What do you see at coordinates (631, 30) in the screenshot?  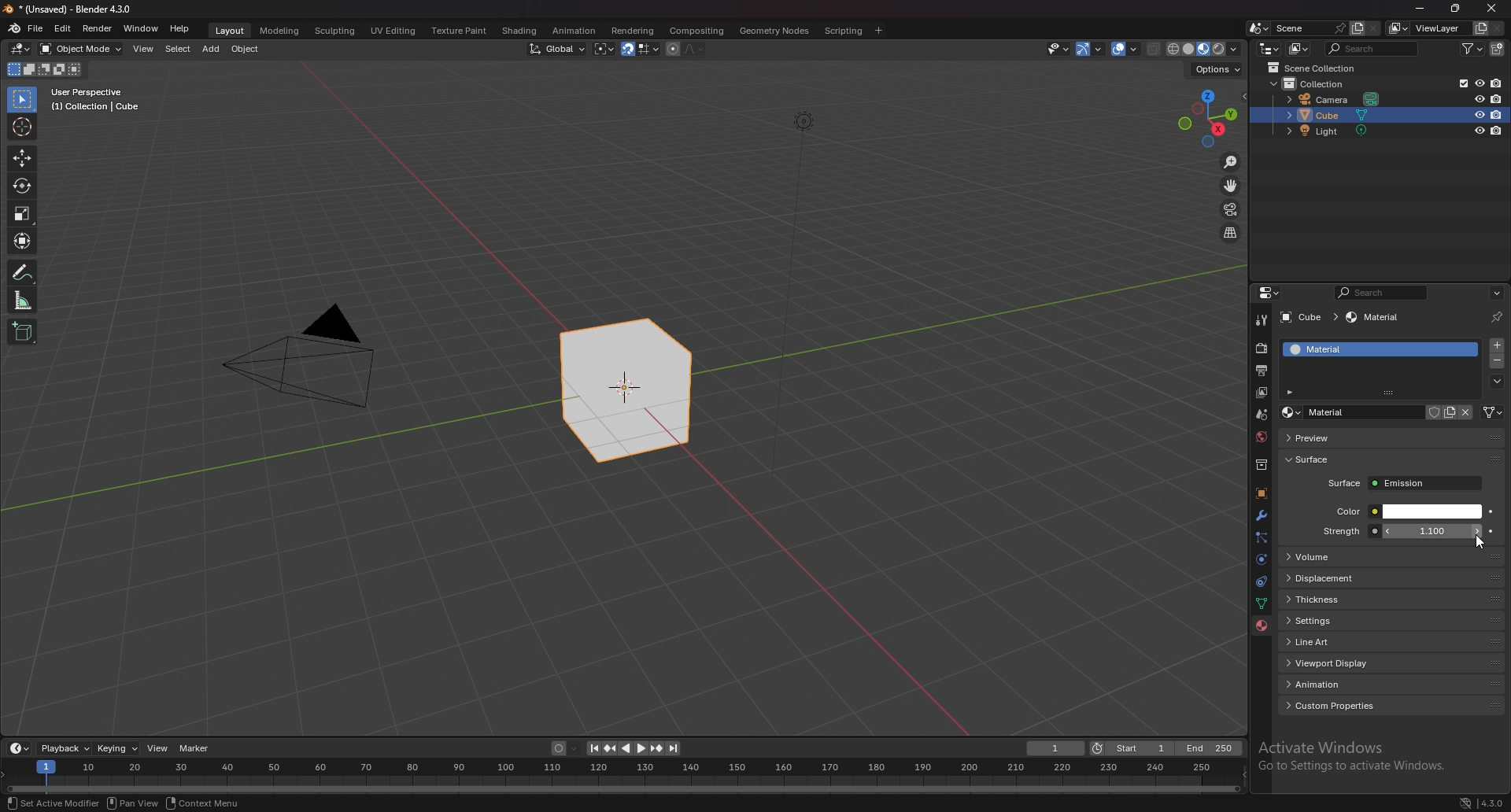 I see `rendering` at bounding box center [631, 30].